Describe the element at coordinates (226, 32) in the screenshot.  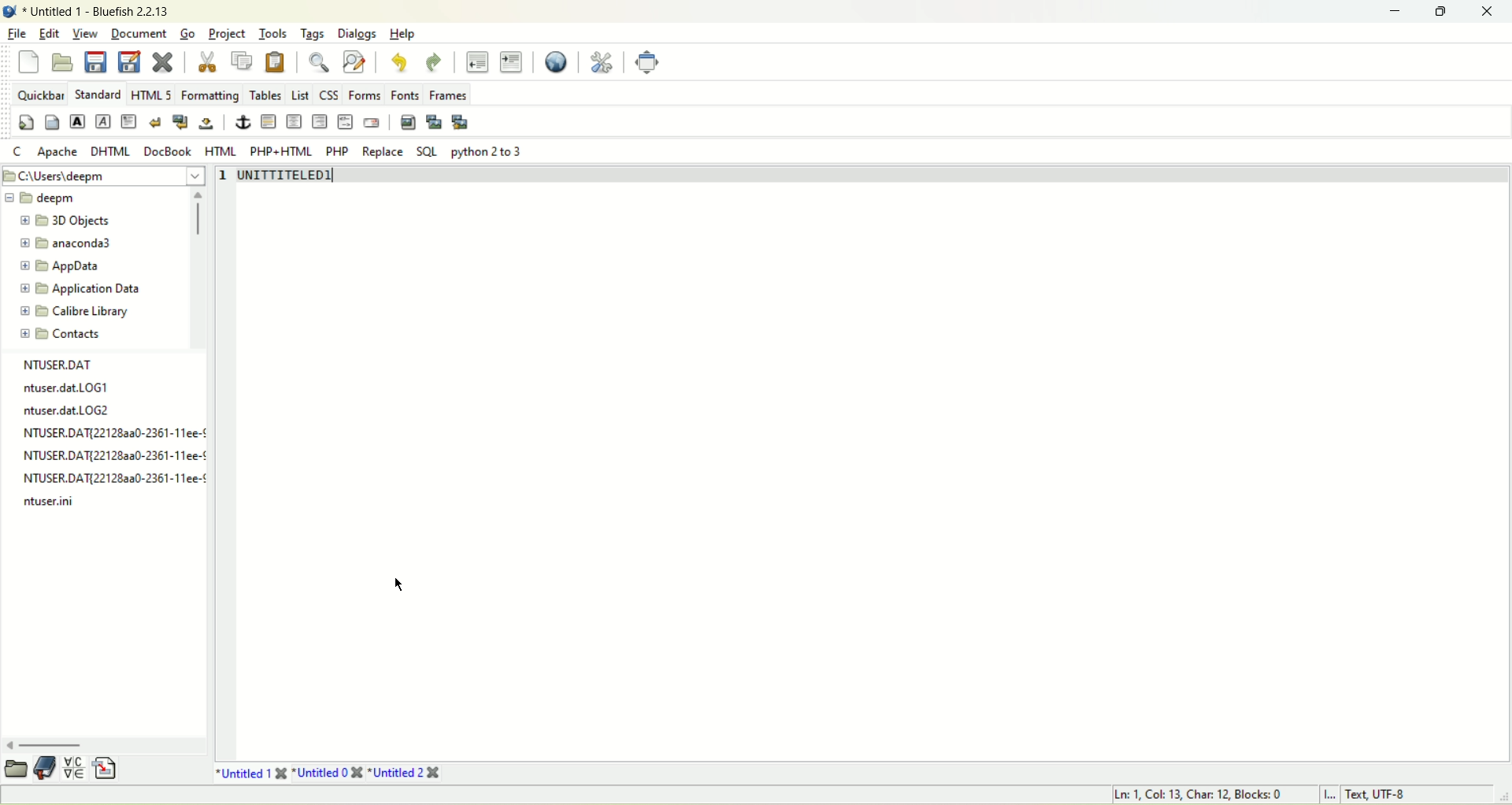
I see `Project` at that location.